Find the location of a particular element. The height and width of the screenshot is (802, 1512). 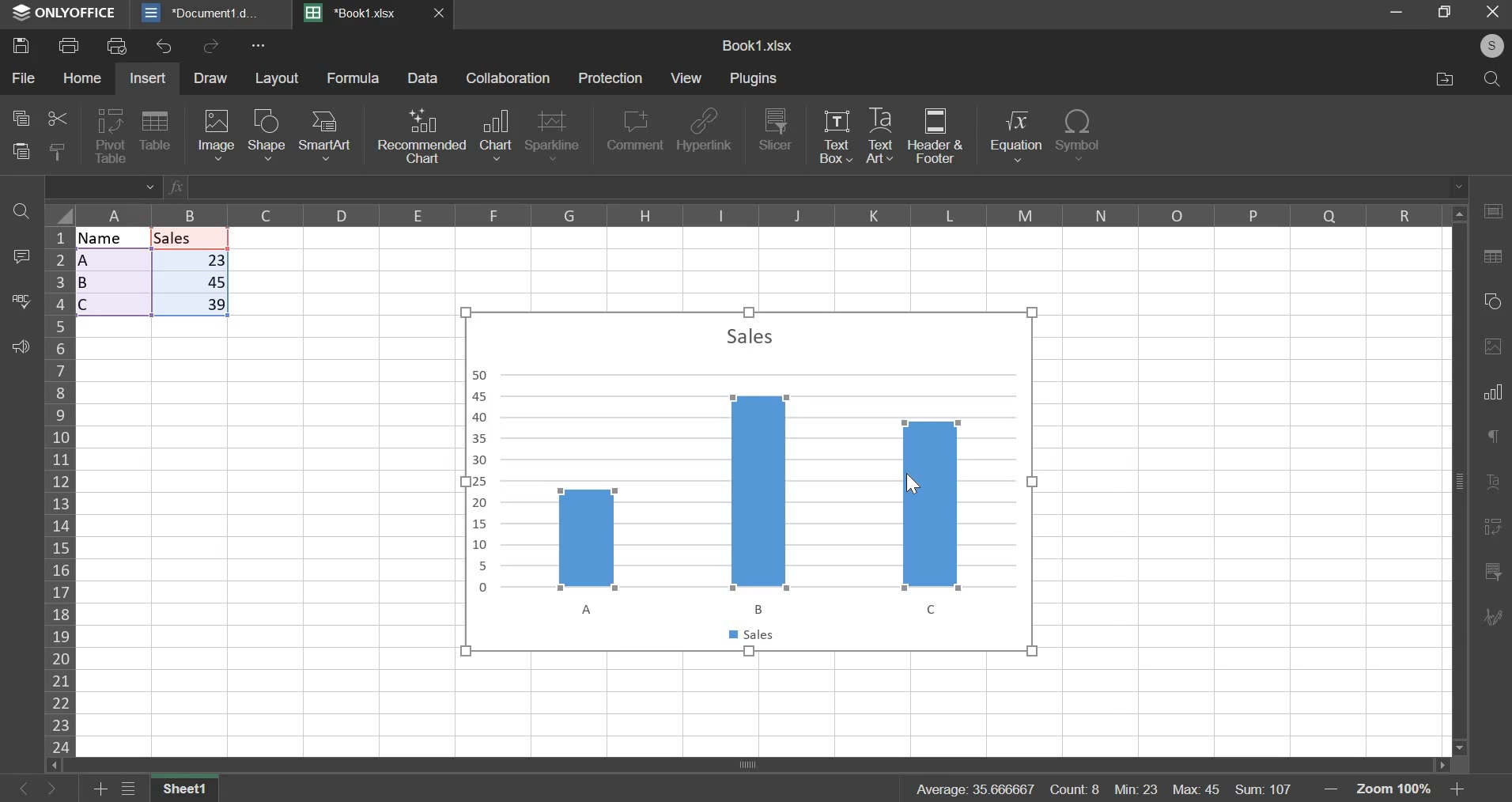

min is located at coordinates (1134, 789).